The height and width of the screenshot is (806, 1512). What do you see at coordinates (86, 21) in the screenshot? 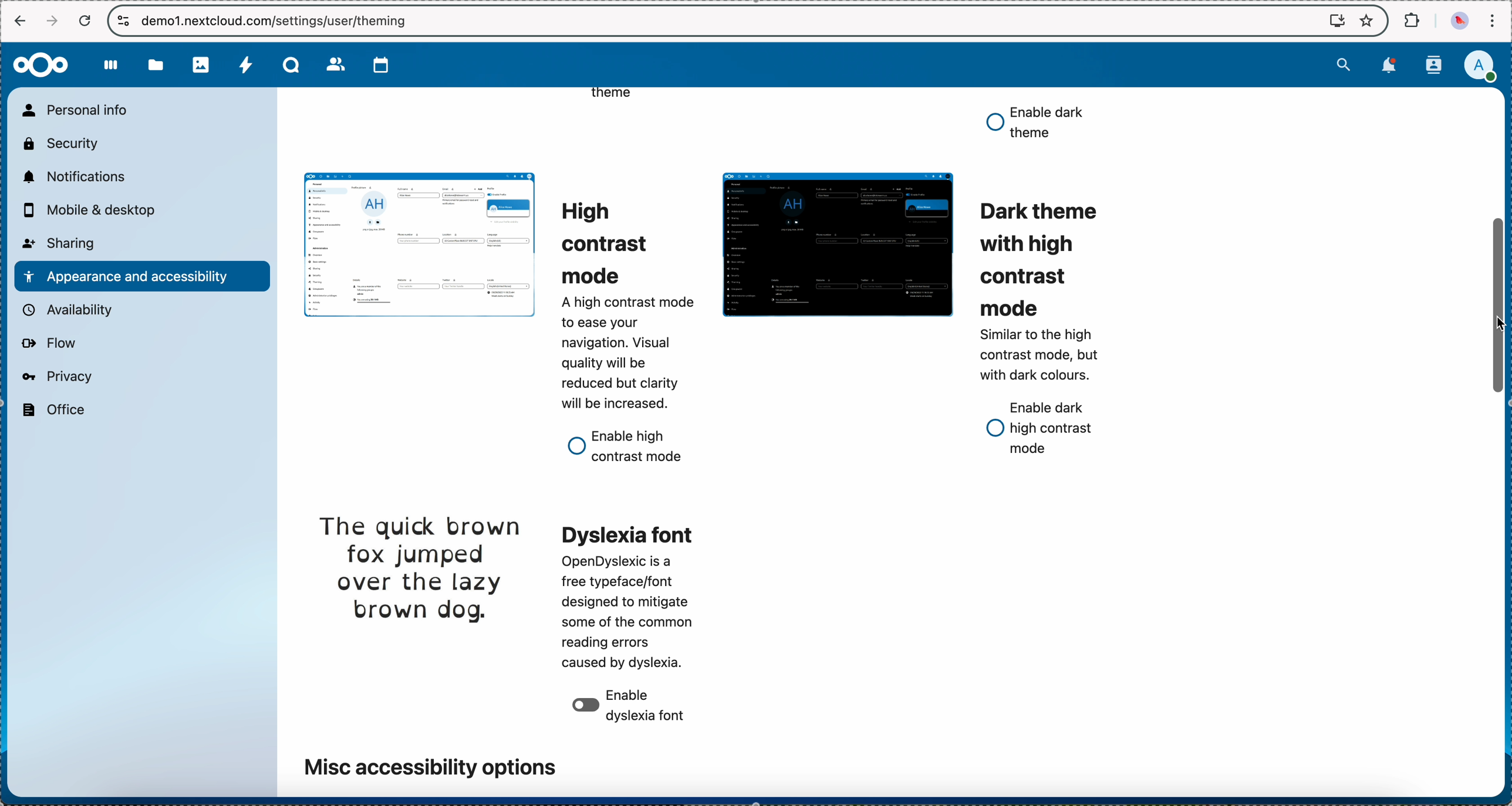
I see `refresh the page` at bounding box center [86, 21].